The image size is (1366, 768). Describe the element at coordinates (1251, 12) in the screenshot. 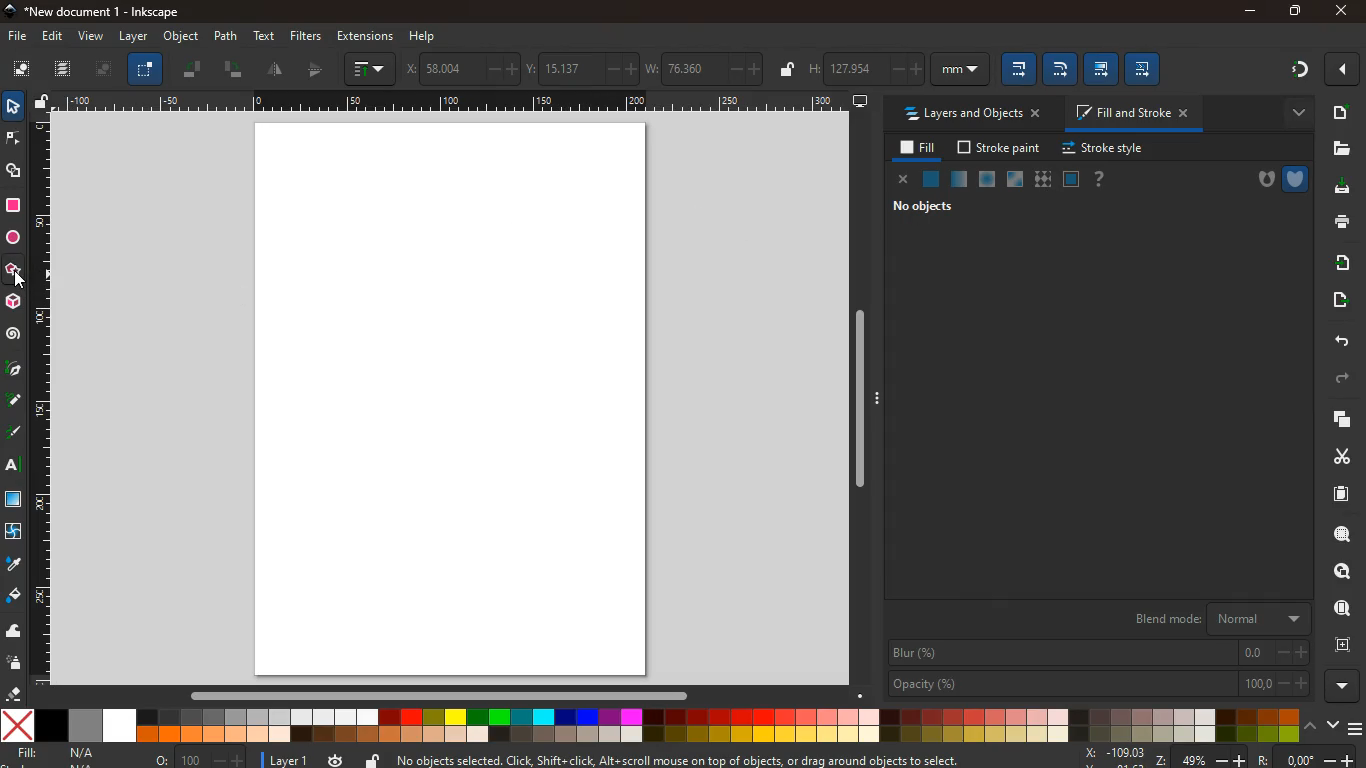

I see `minimize` at that location.